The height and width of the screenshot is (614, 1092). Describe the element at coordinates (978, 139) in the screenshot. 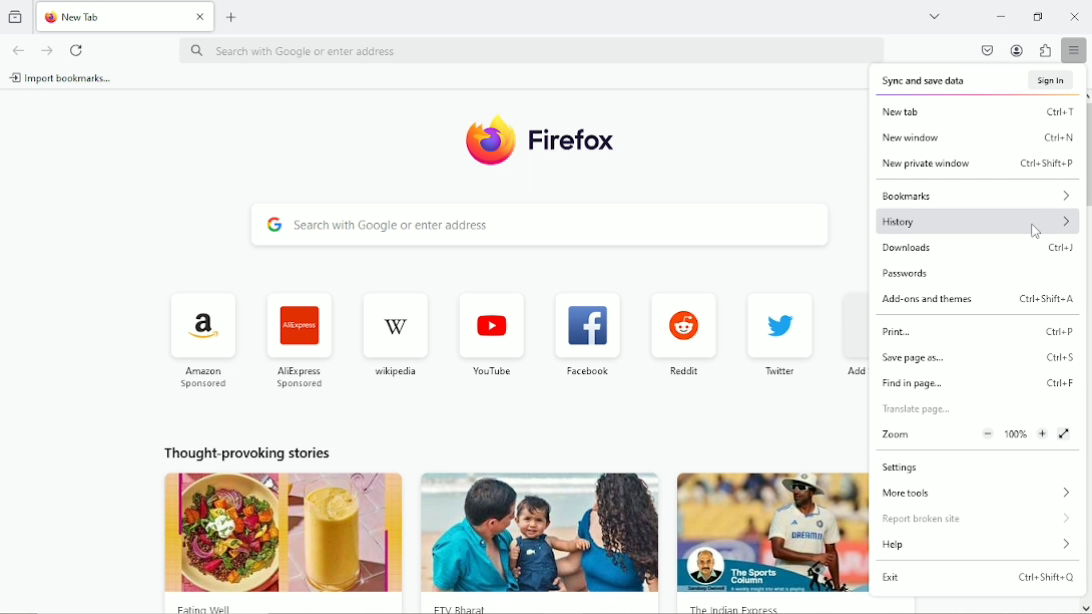

I see `new window` at that location.